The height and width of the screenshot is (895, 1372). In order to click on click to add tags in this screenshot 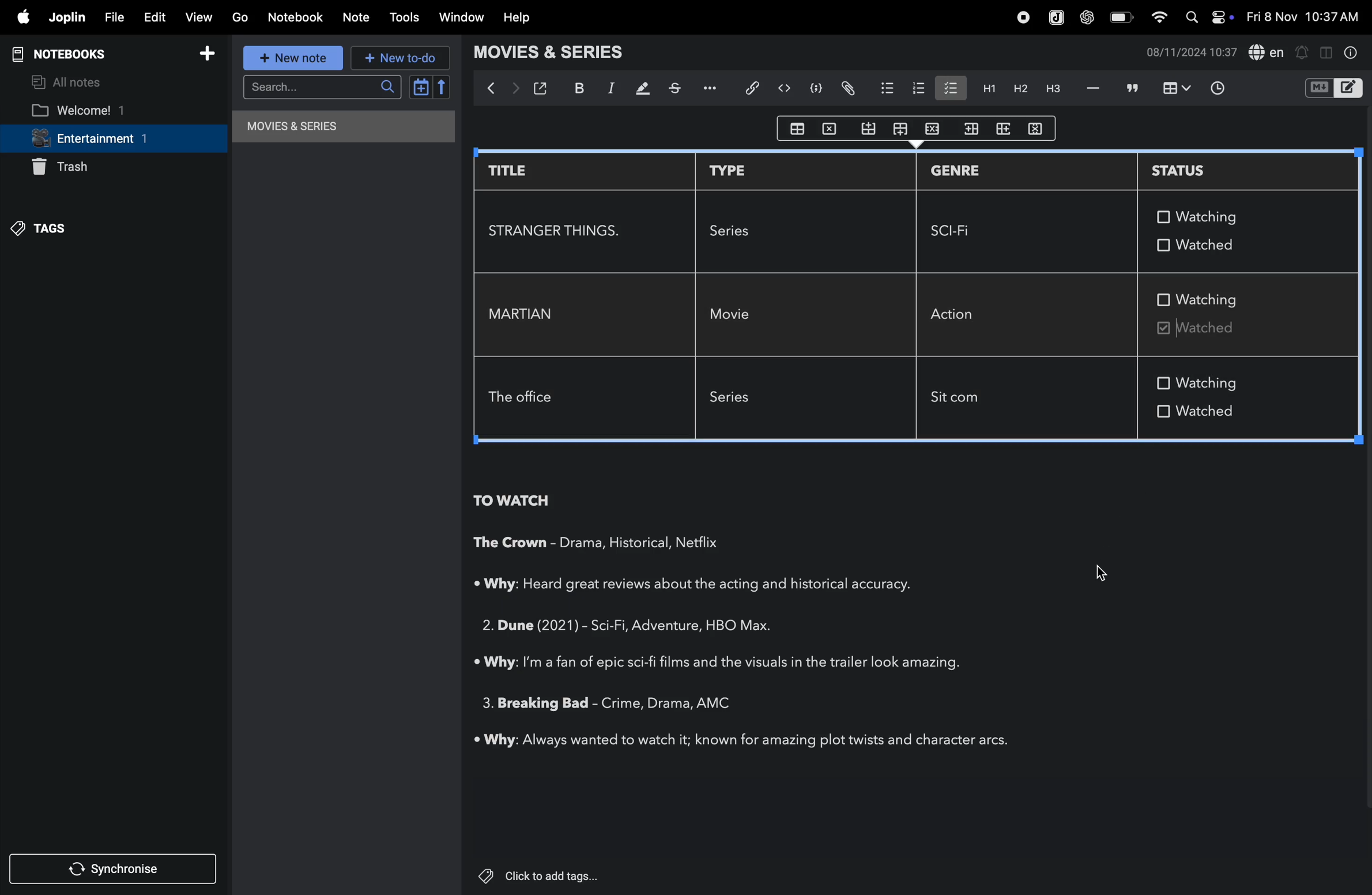, I will do `click(541, 876)`.